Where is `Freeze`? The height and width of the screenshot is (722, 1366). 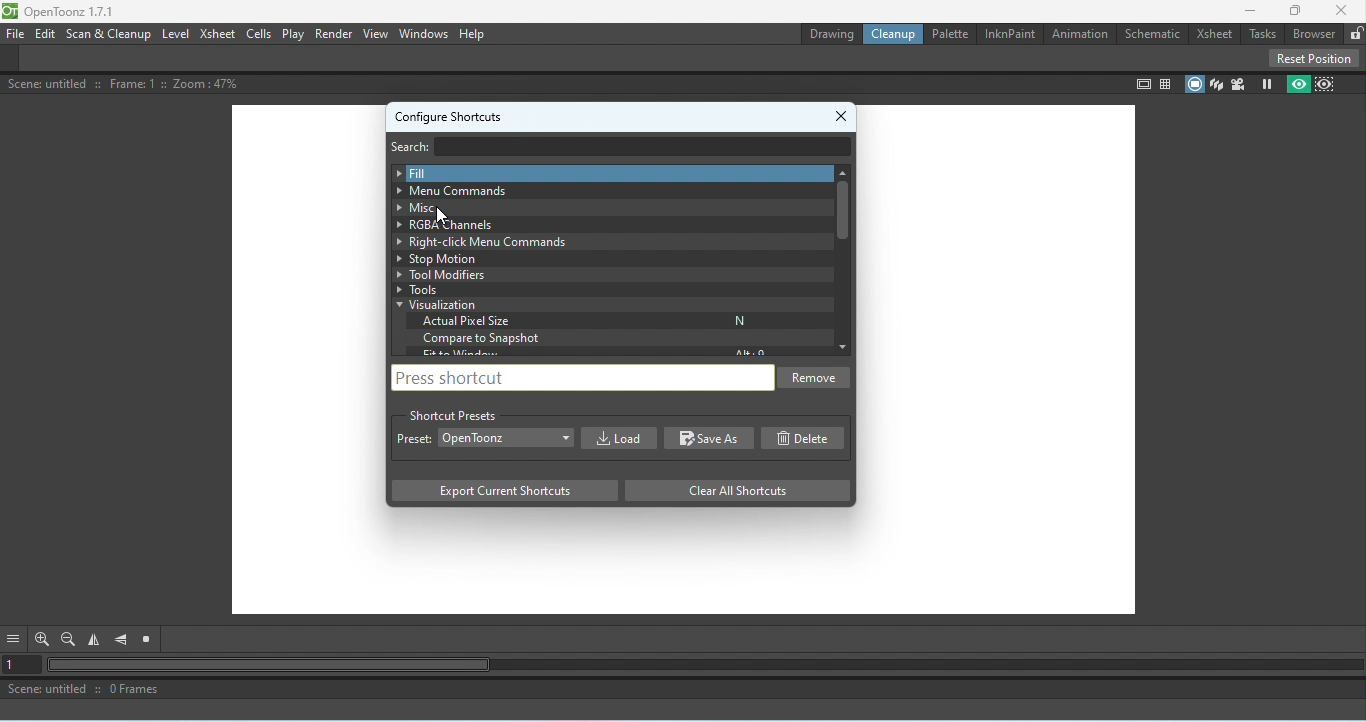
Freeze is located at coordinates (1263, 85).